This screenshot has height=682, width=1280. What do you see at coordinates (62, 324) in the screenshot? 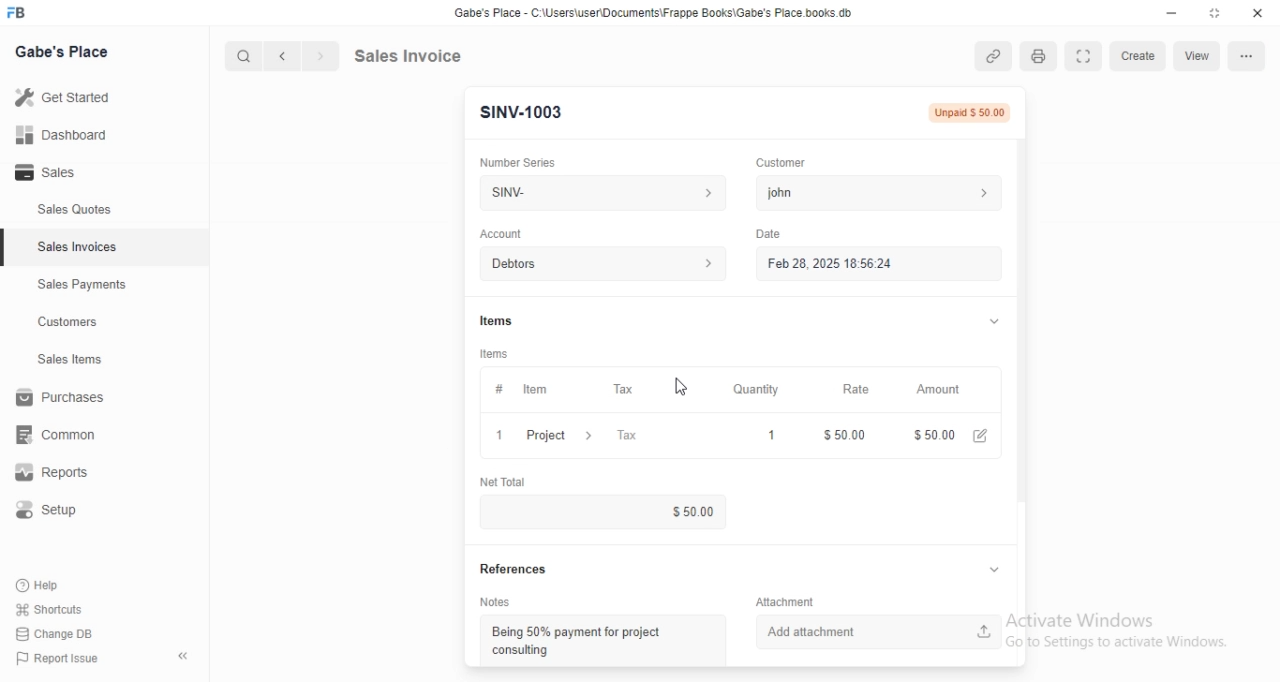
I see `Customers.` at bounding box center [62, 324].